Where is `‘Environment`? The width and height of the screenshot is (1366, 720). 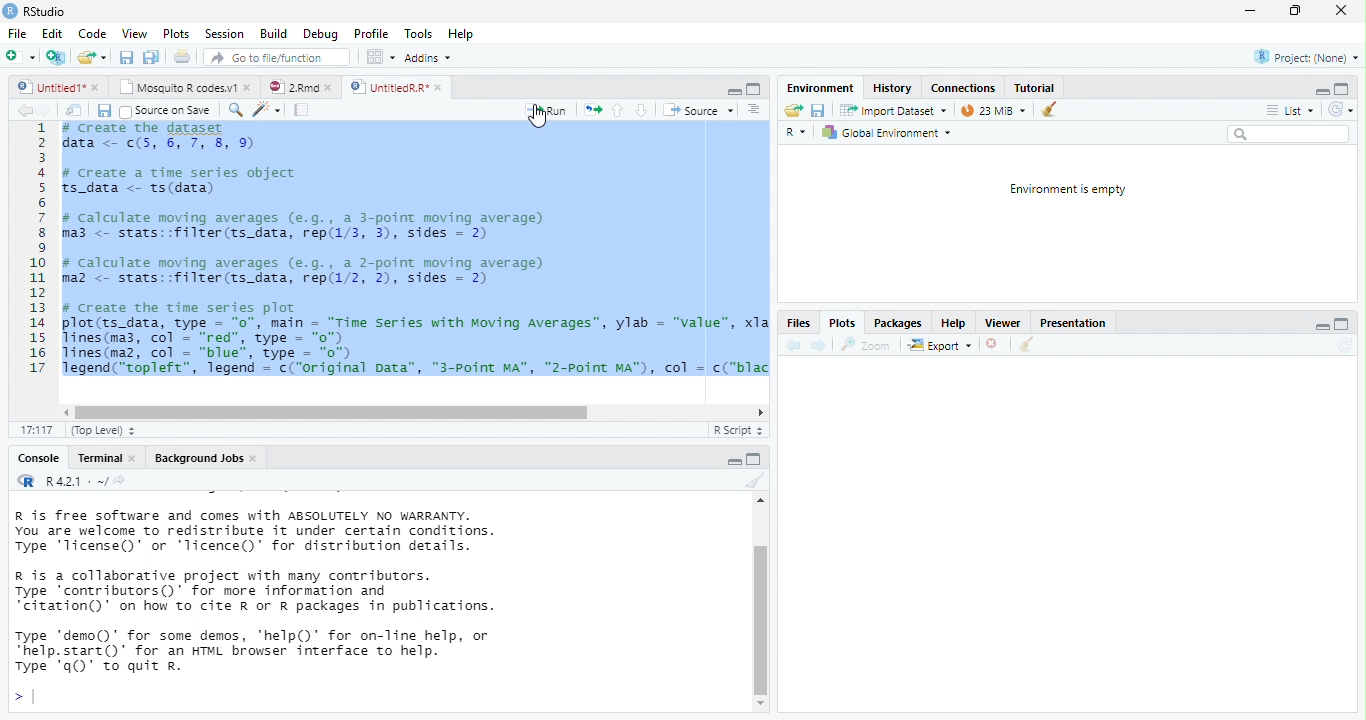 ‘Environment is located at coordinates (819, 88).